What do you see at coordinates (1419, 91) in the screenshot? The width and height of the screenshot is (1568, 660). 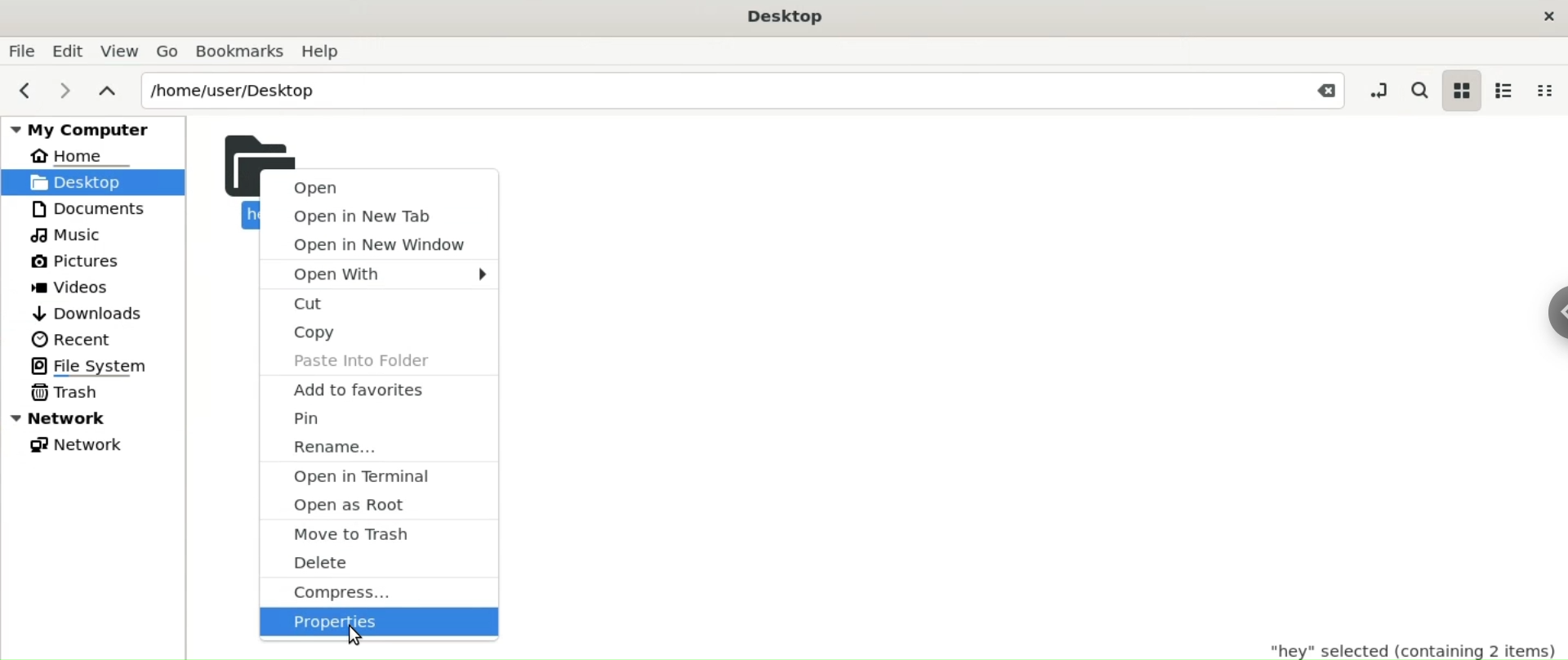 I see `search` at bounding box center [1419, 91].